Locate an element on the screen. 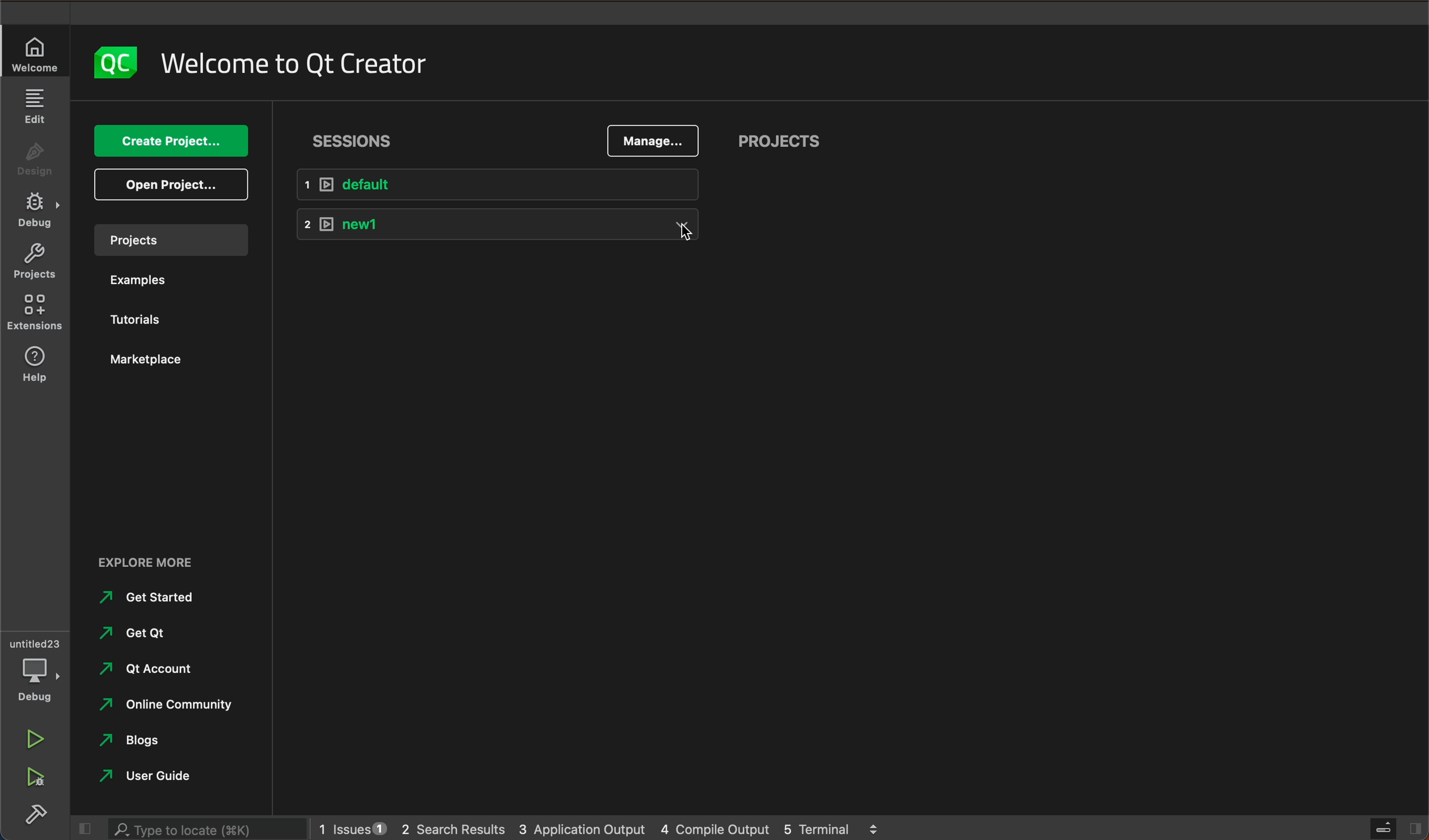  external links is located at coordinates (172, 557).